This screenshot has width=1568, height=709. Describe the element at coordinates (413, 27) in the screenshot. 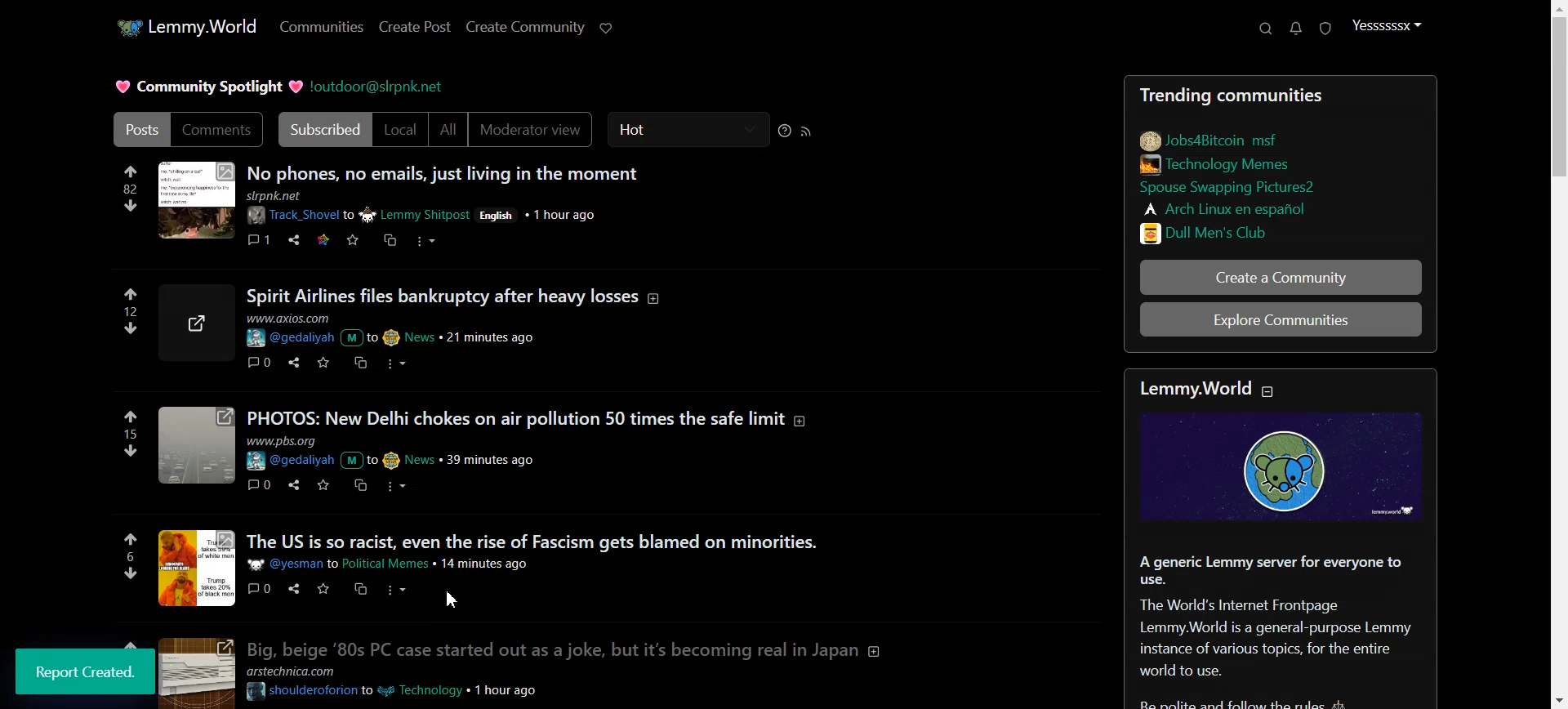

I see `Create Post` at that location.